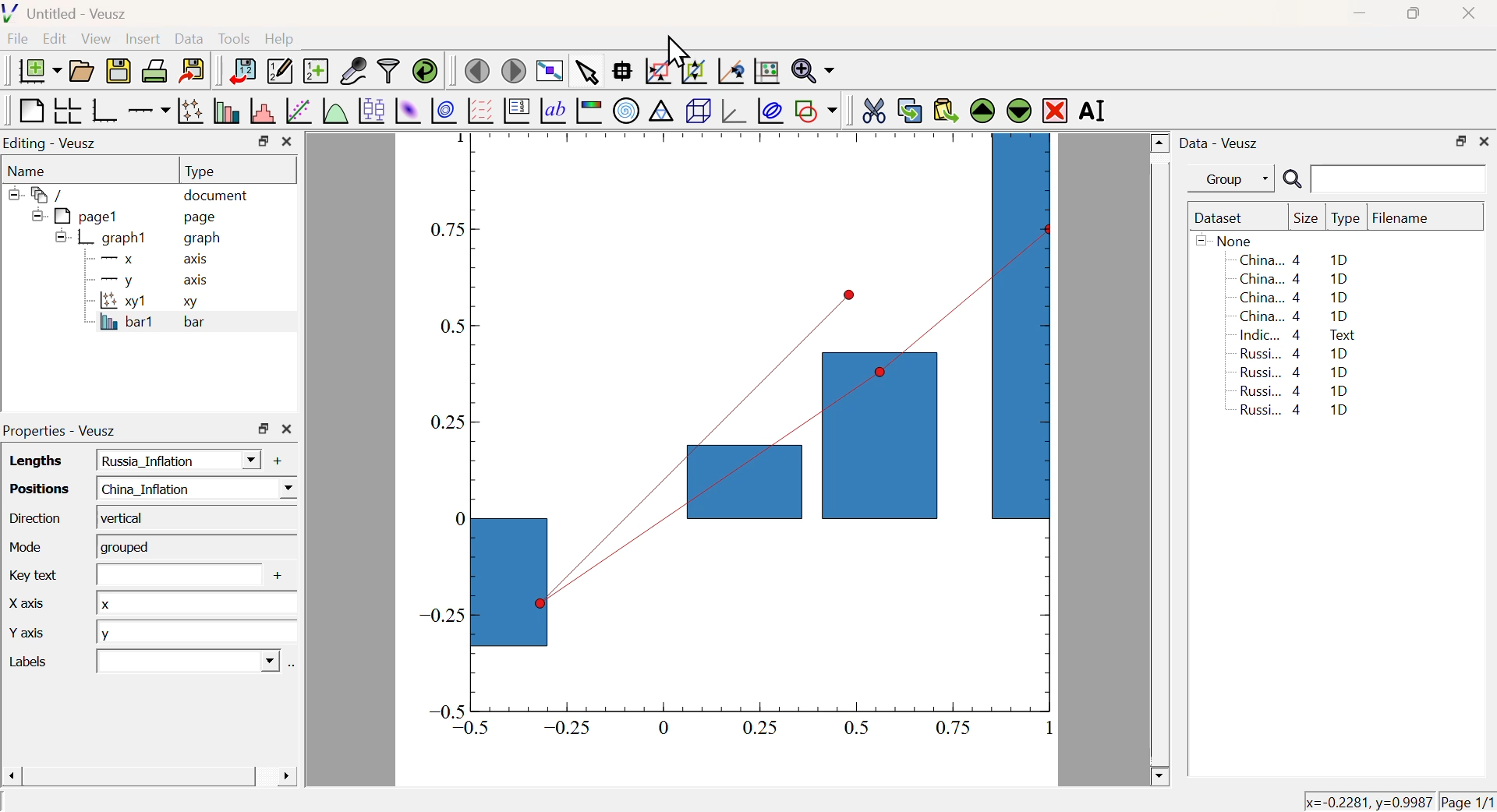 This screenshot has width=1497, height=812. What do you see at coordinates (622, 70) in the screenshot?
I see `Read Data points on graph` at bounding box center [622, 70].